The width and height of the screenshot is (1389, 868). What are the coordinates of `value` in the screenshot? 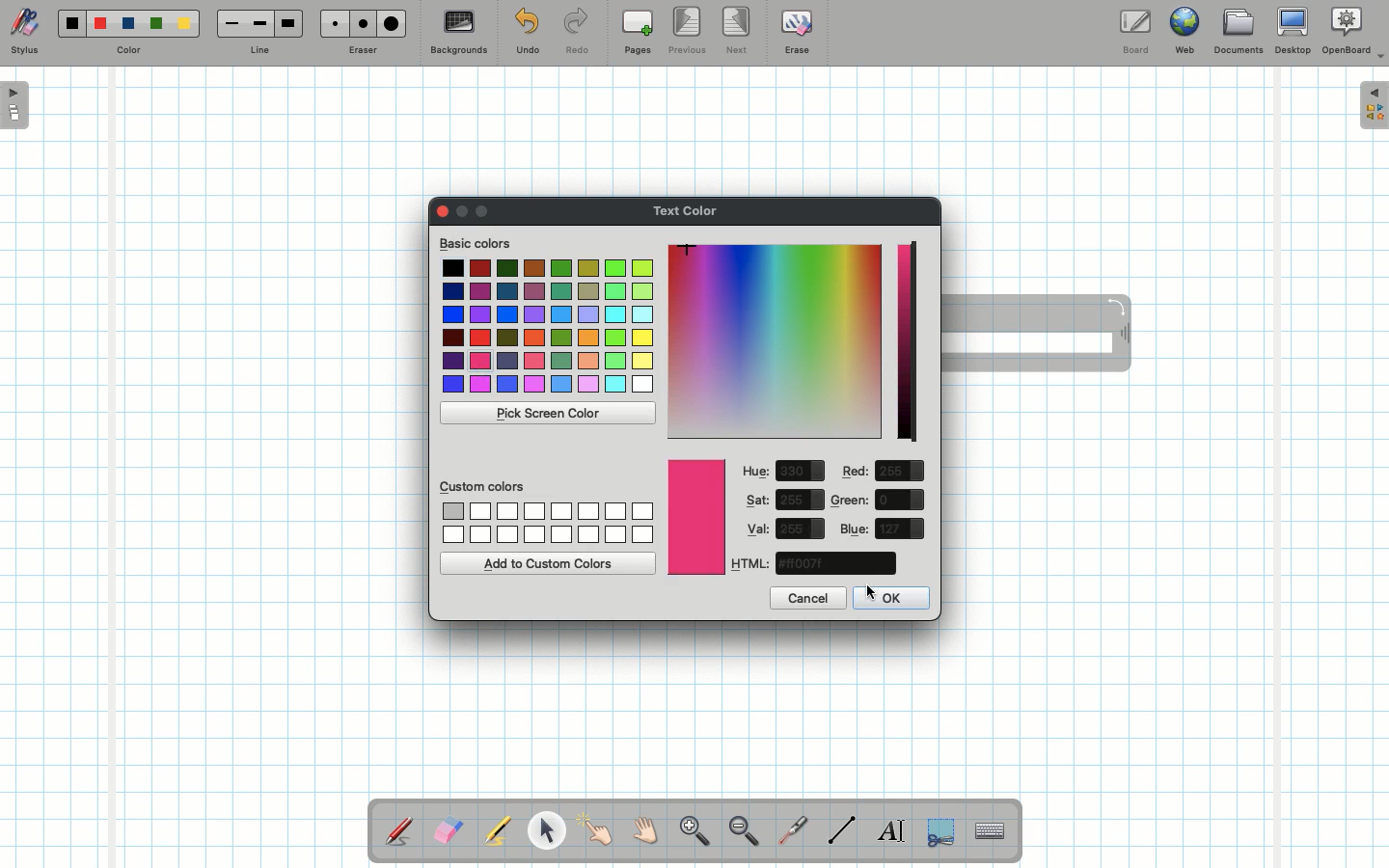 It's located at (901, 500).